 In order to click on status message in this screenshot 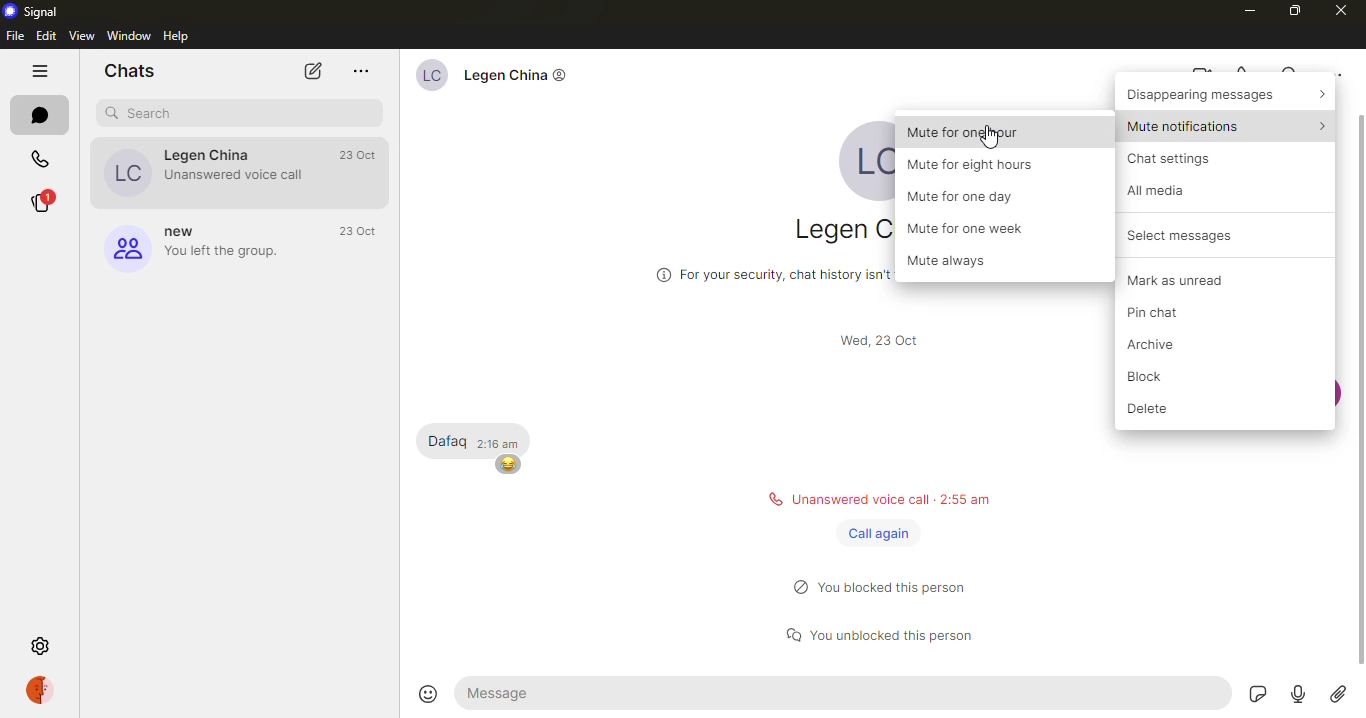, I will do `click(877, 499)`.